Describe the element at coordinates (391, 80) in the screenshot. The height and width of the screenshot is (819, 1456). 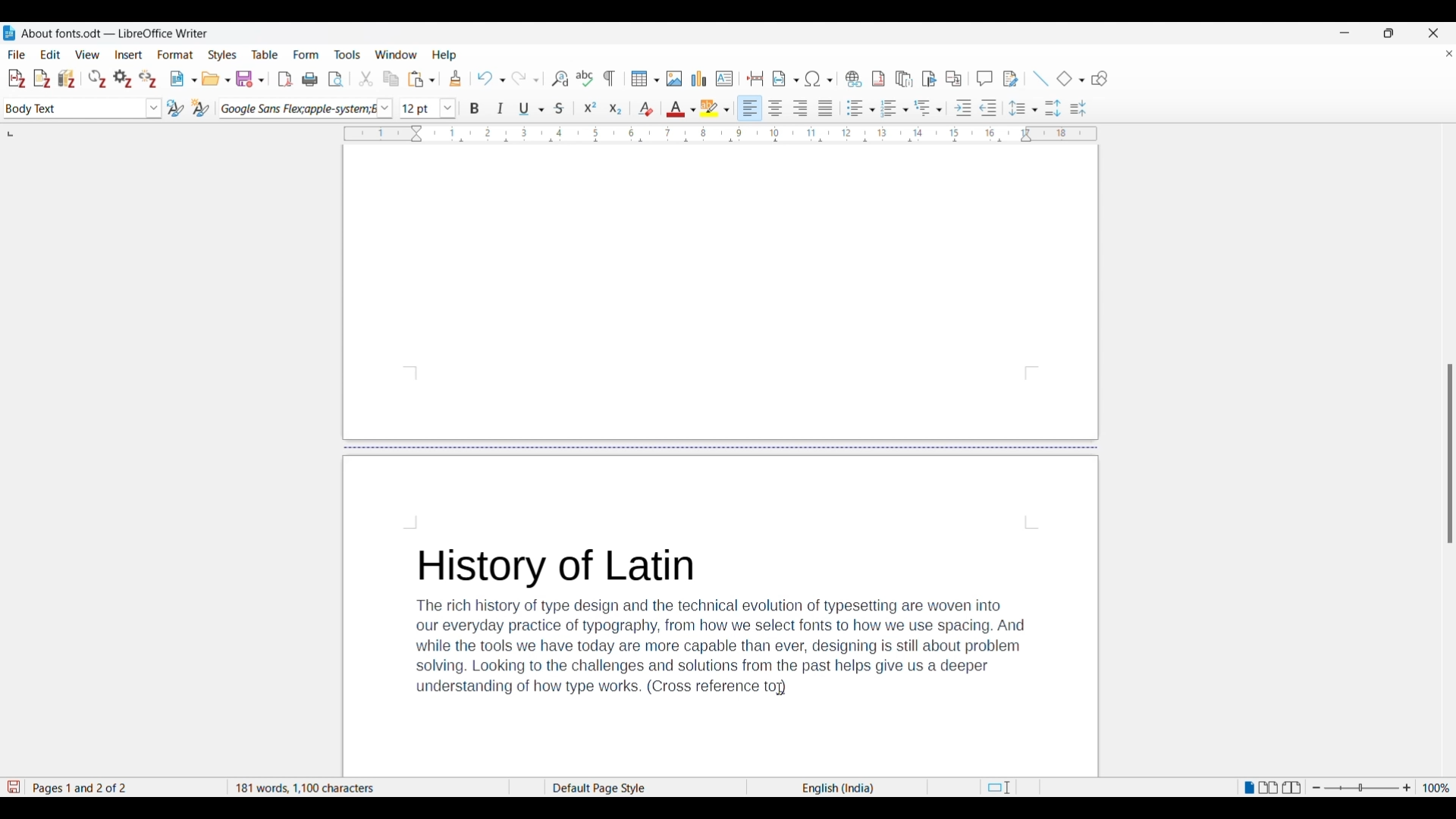
I see `Copy` at that location.